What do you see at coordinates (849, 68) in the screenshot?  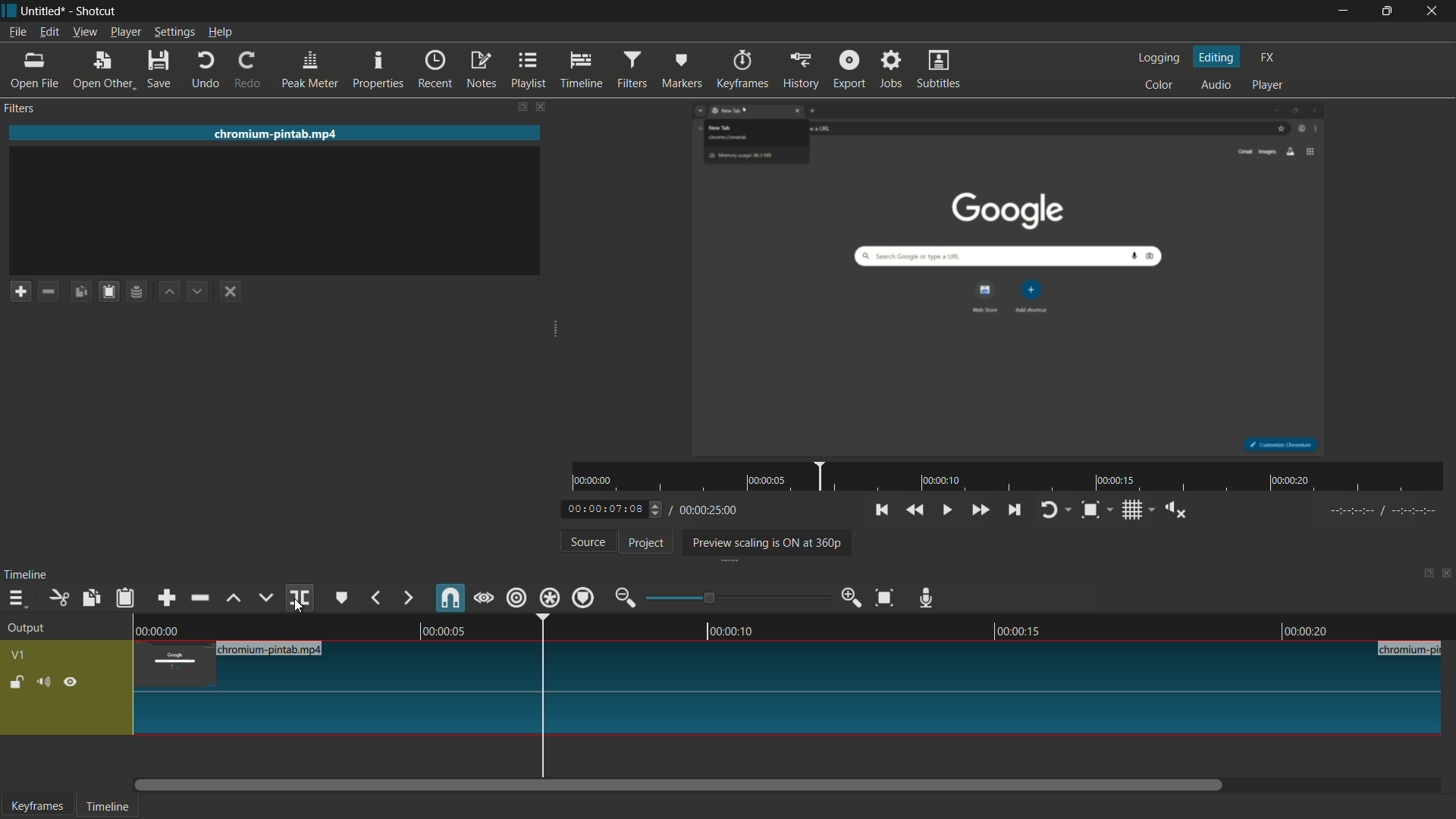 I see `export` at bounding box center [849, 68].